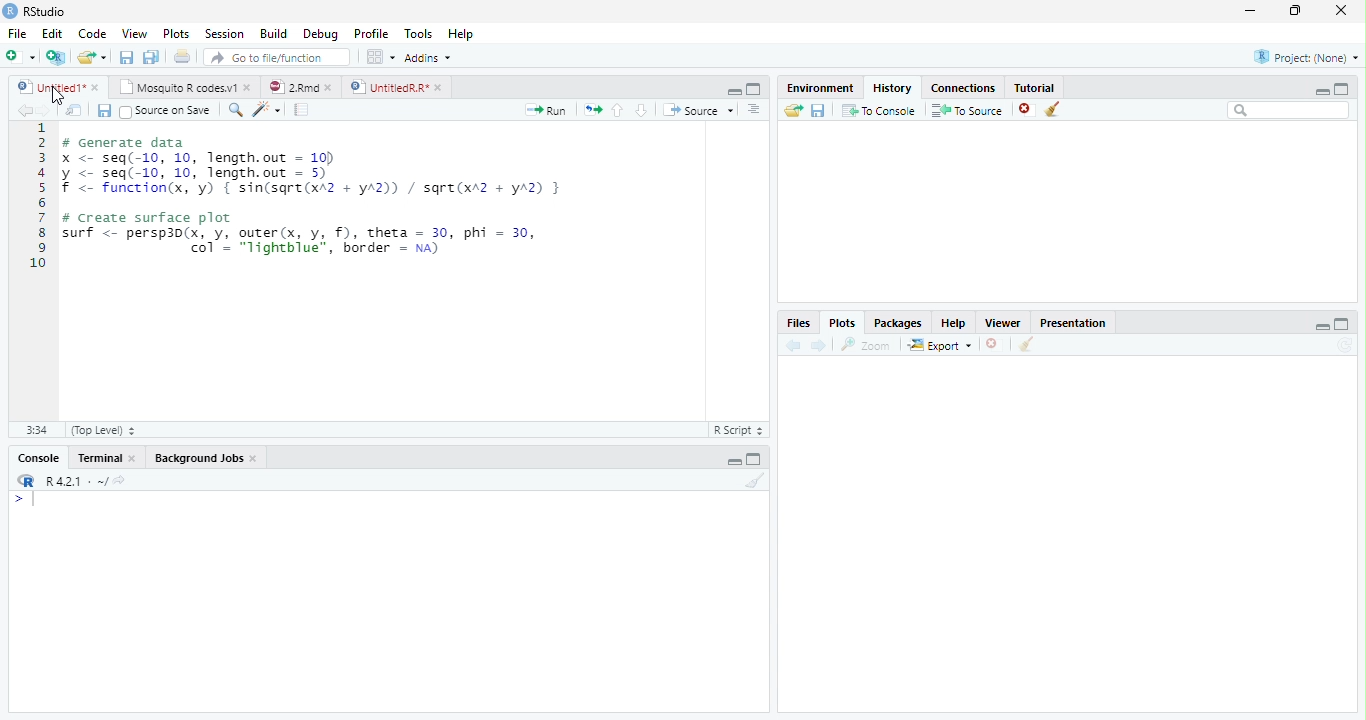  What do you see at coordinates (134, 33) in the screenshot?
I see `View` at bounding box center [134, 33].